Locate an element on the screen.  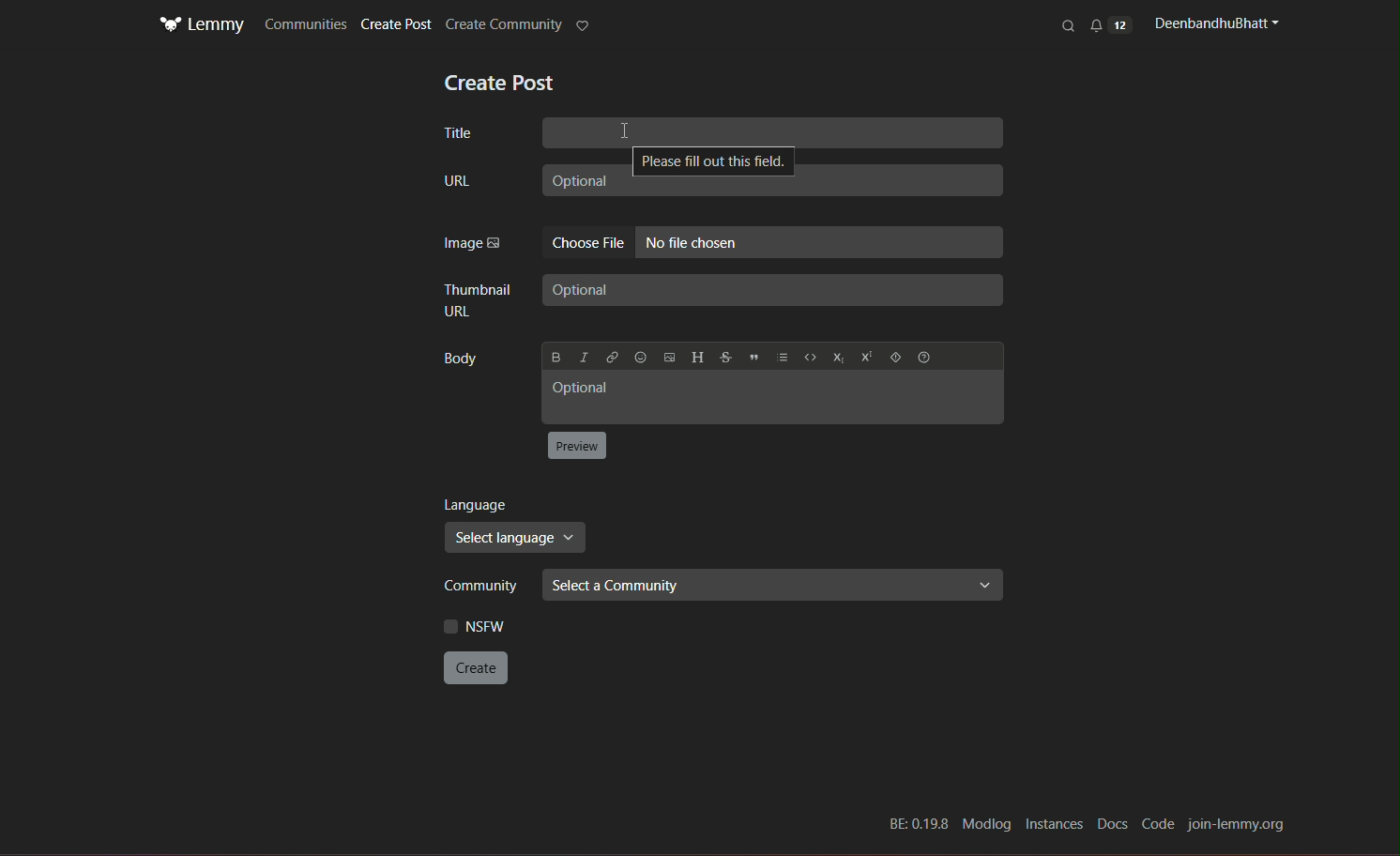
URL is located at coordinates (456, 182).